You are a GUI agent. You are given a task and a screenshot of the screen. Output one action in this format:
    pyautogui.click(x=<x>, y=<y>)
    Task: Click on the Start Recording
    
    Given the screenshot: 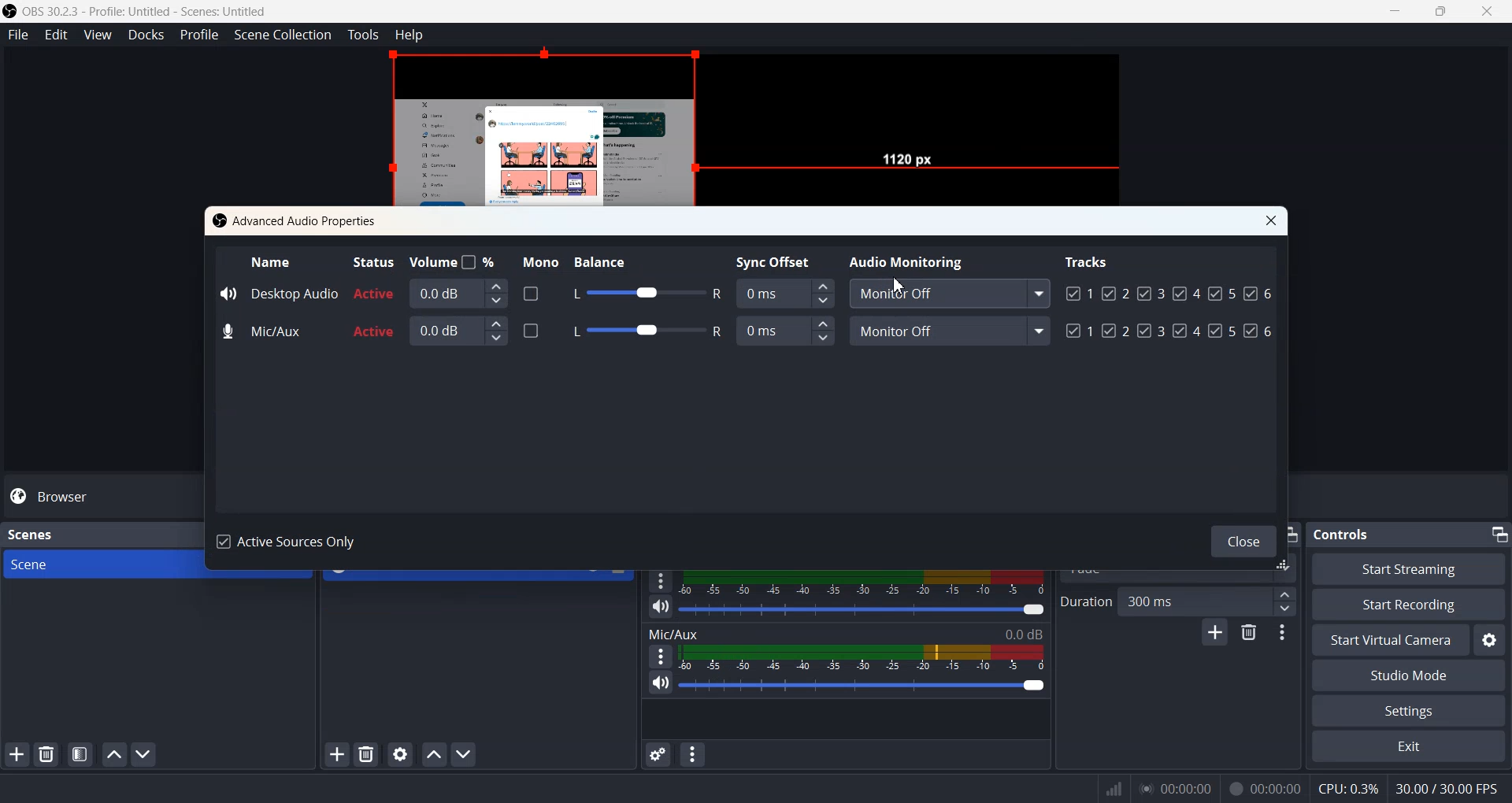 What is the action you would take?
    pyautogui.click(x=1408, y=604)
    